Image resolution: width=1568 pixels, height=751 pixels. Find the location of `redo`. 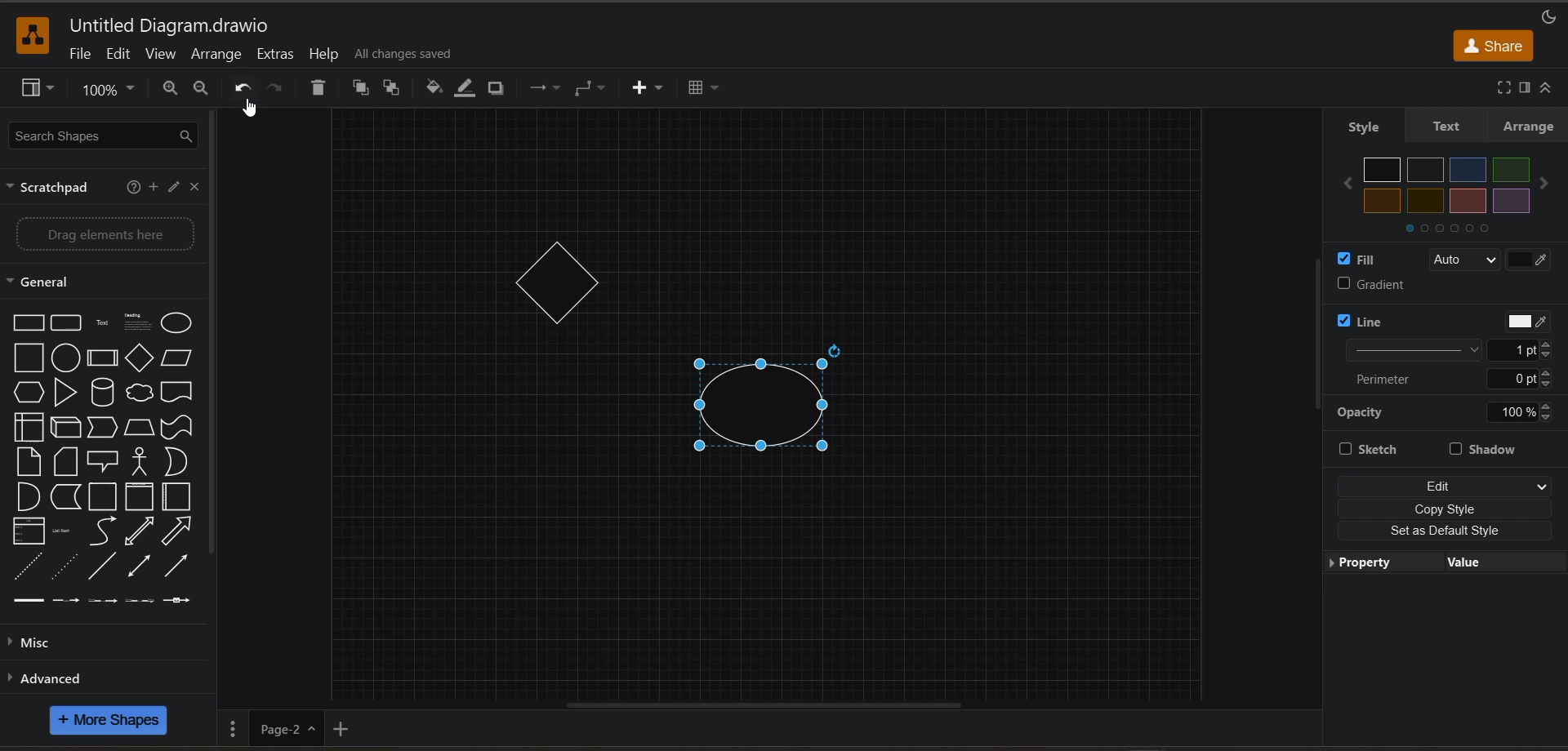

redo is located at coordinates (279, 88).